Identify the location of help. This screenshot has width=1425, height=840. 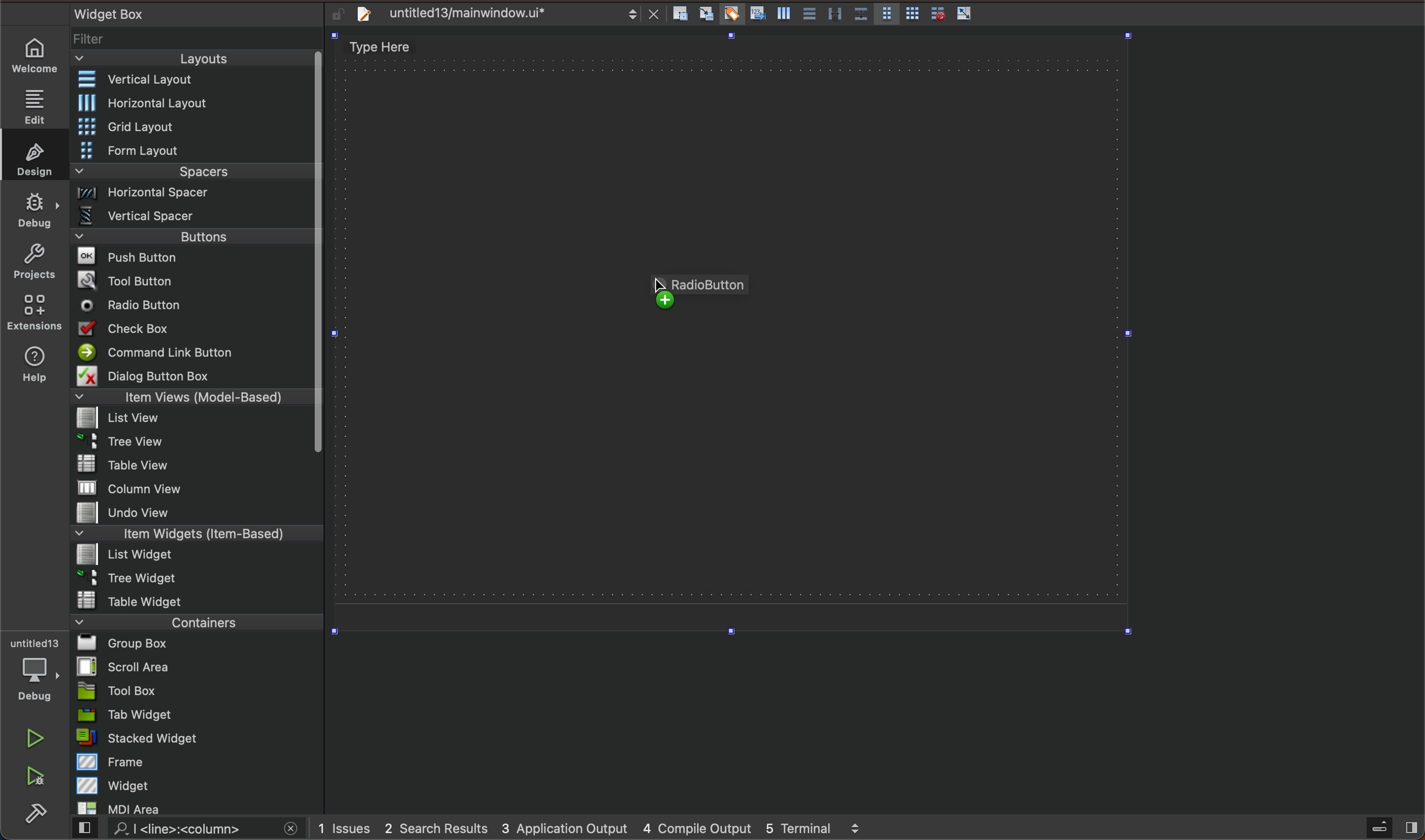
(32, 367).